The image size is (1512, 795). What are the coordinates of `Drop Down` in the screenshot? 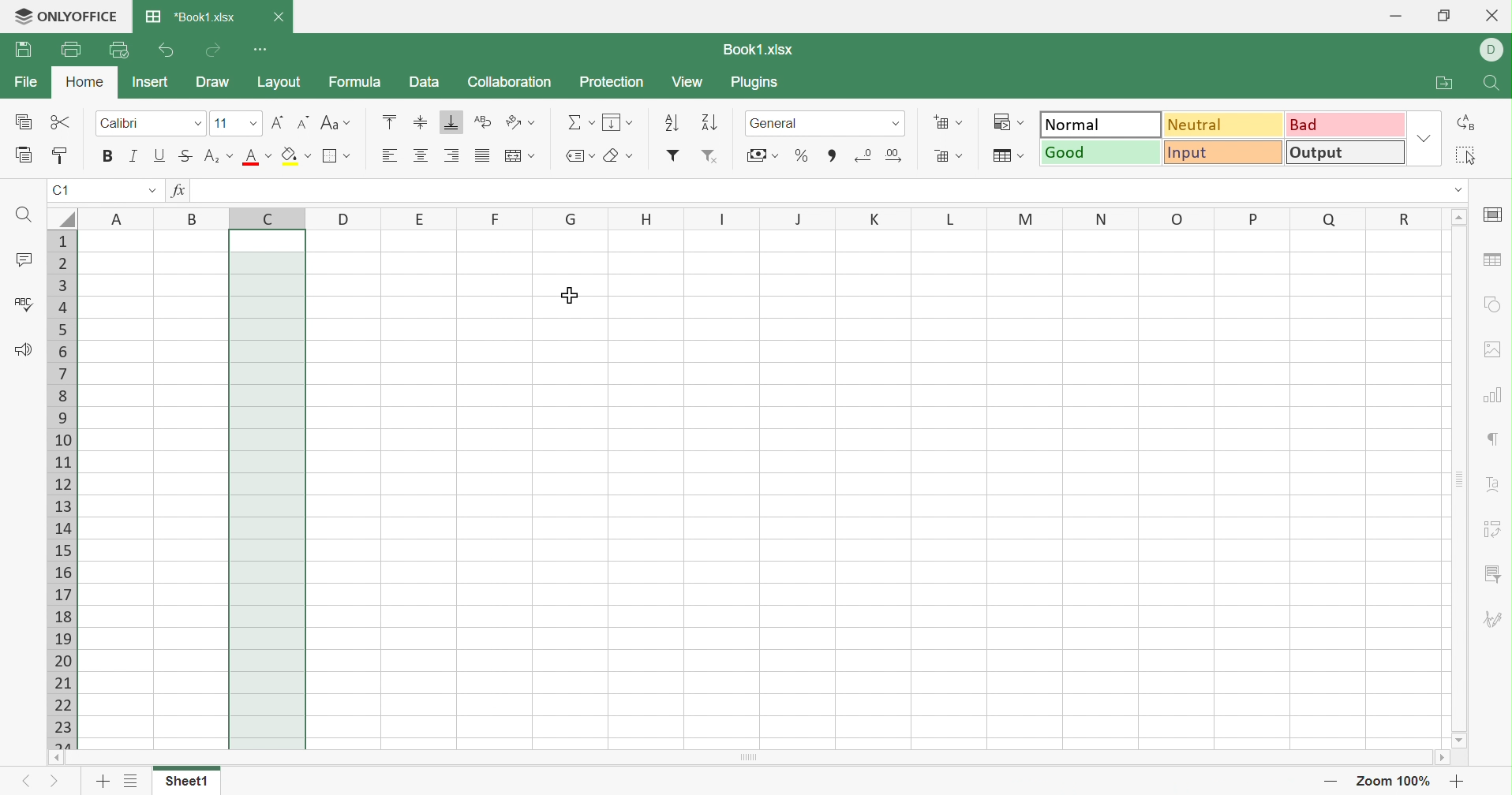 It's located at (961, 155).